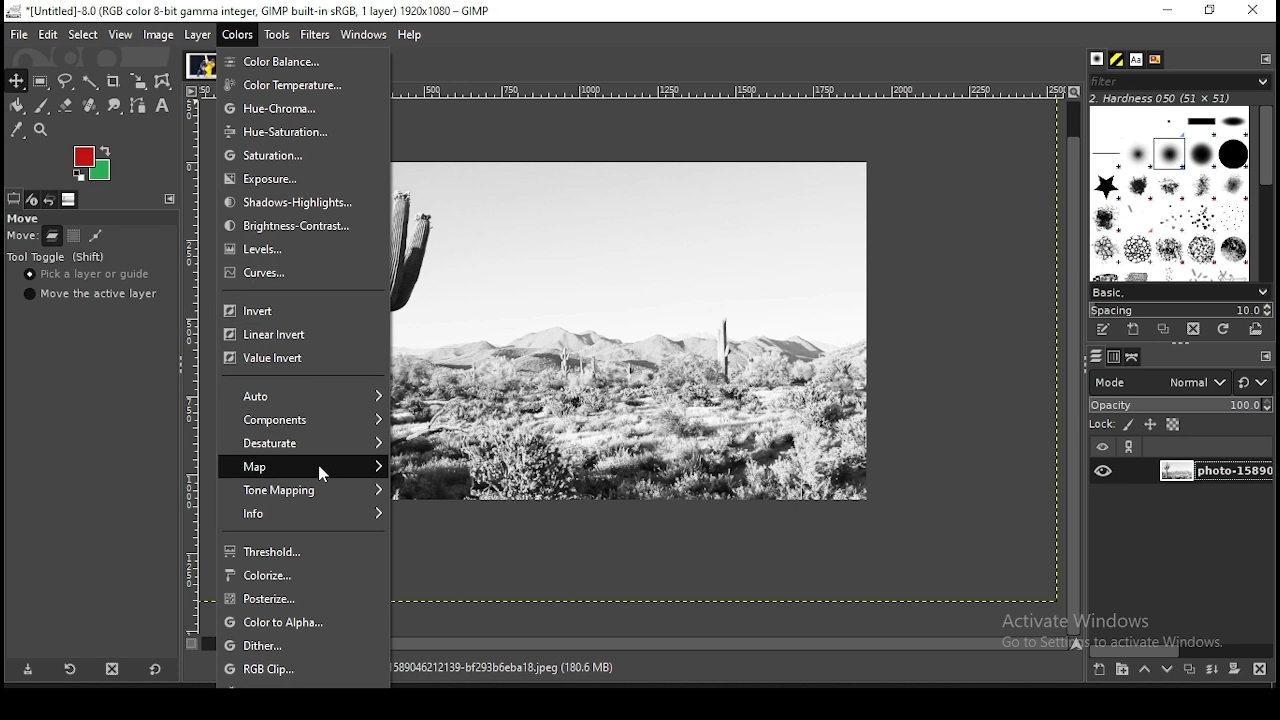 This screenshot has width=1280, height=720. I want to click on patterns, so click(1118, 59).